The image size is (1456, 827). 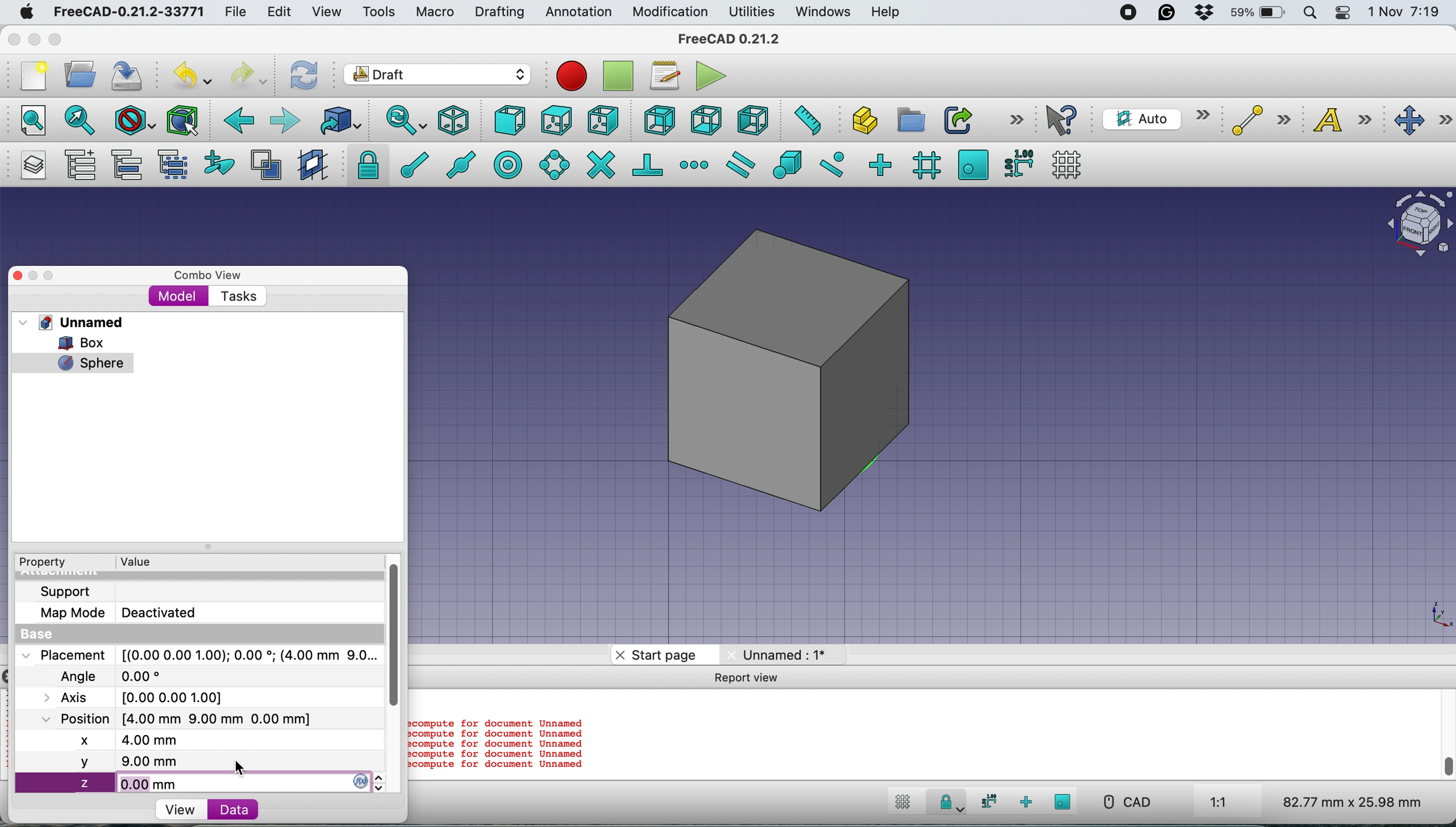 I want to click on undo, so click(x=194, y=74).